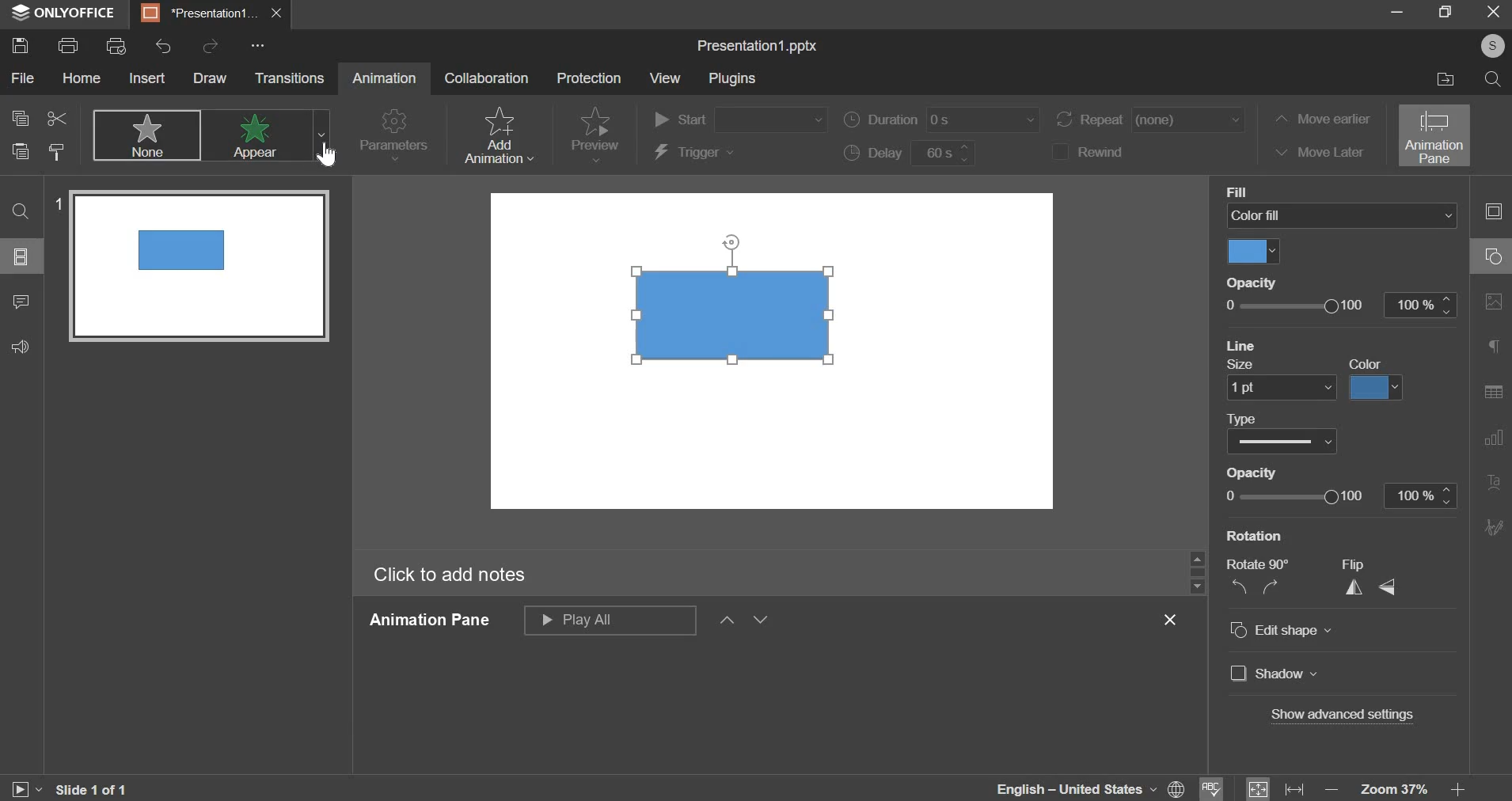  Describe the element at coordinates (1351, 590) in the screenshot. I see `flip horizontally` at that location.